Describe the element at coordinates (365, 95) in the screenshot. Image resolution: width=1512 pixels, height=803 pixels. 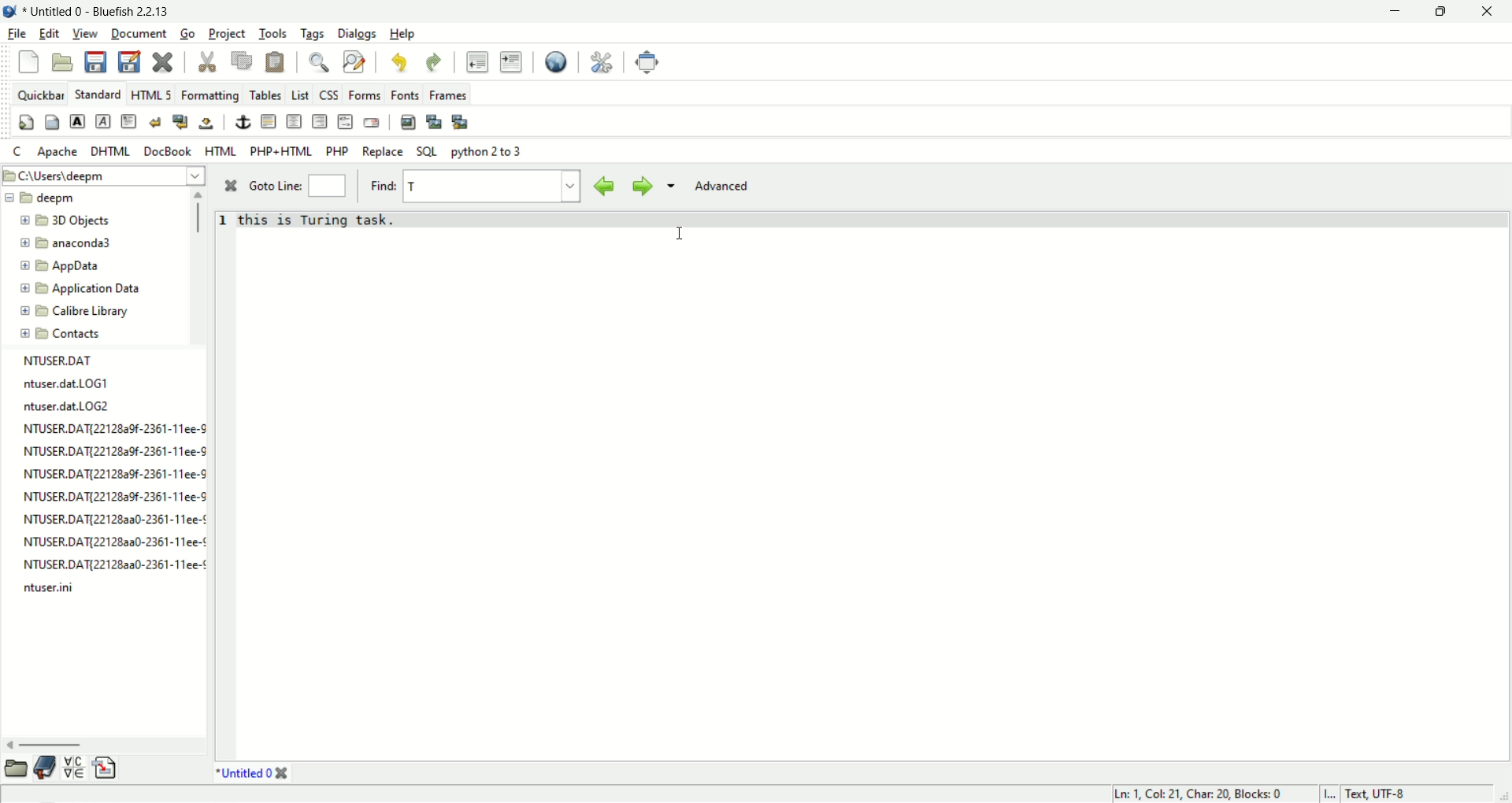
I see `Forms` at that location.